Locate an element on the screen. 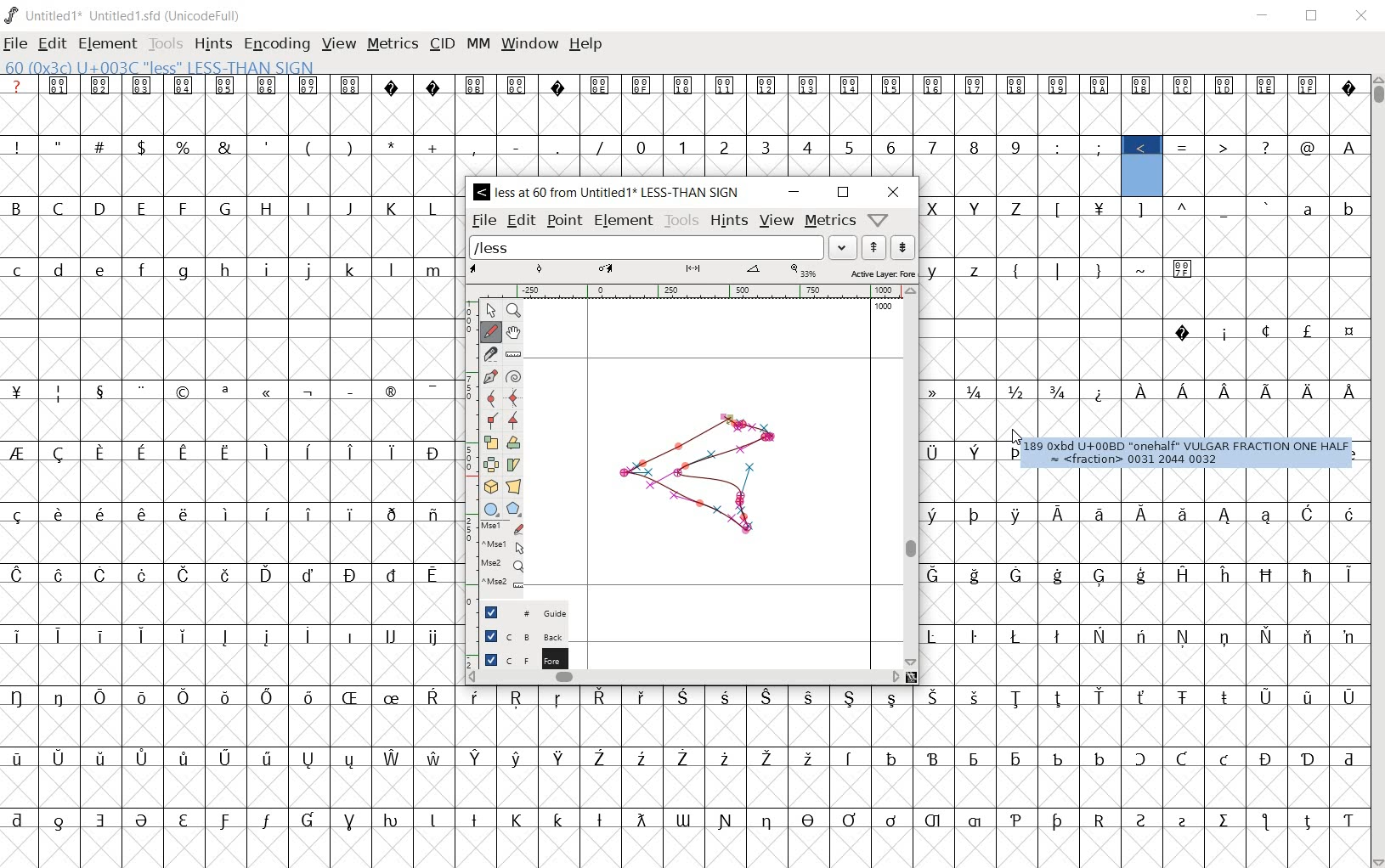  help is located at coordinates (586, 45).